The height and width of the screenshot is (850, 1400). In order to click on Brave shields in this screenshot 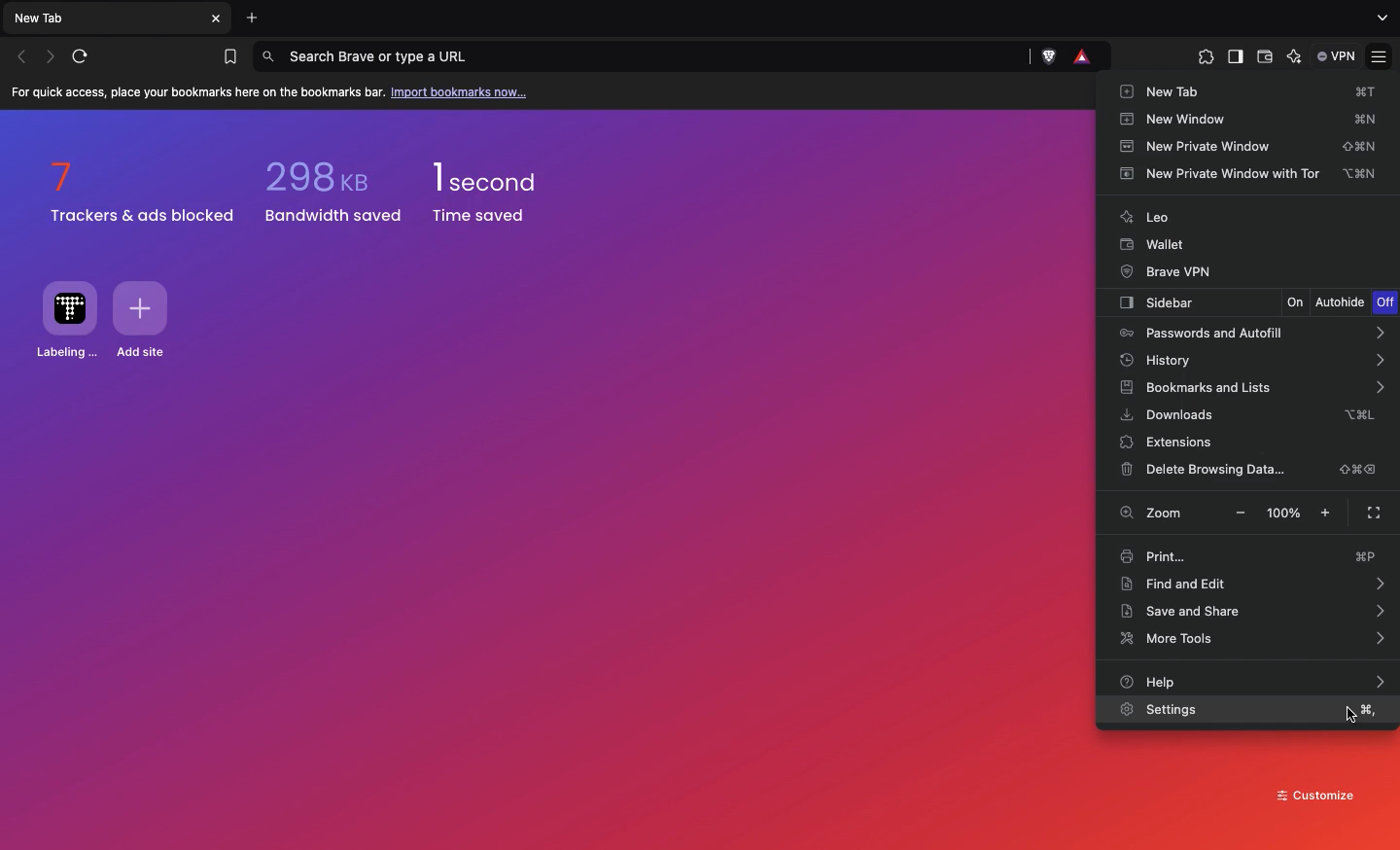, I will do `click(1050, 57)`.